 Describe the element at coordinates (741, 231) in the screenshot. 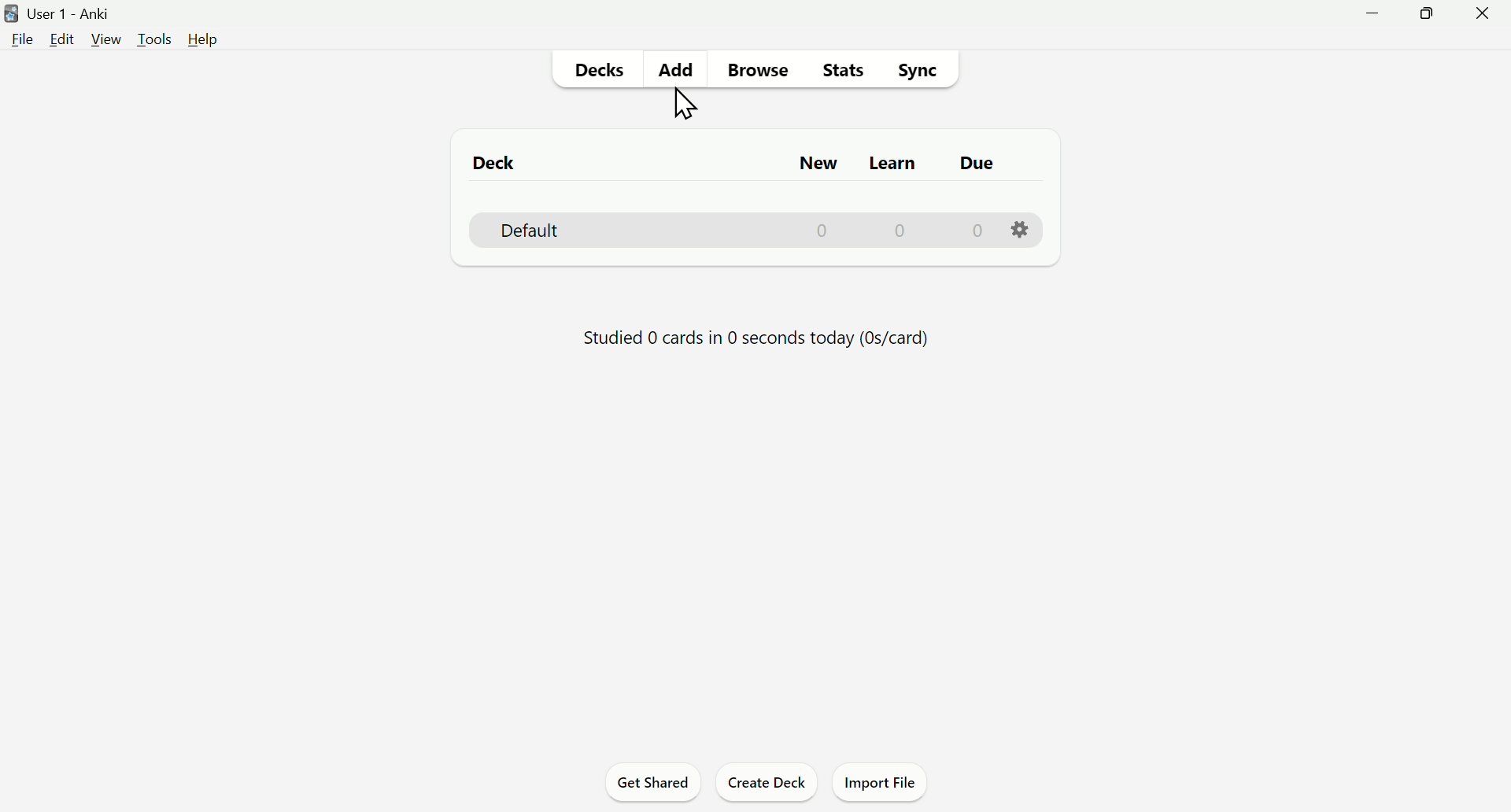

I see `Deck` at that location.